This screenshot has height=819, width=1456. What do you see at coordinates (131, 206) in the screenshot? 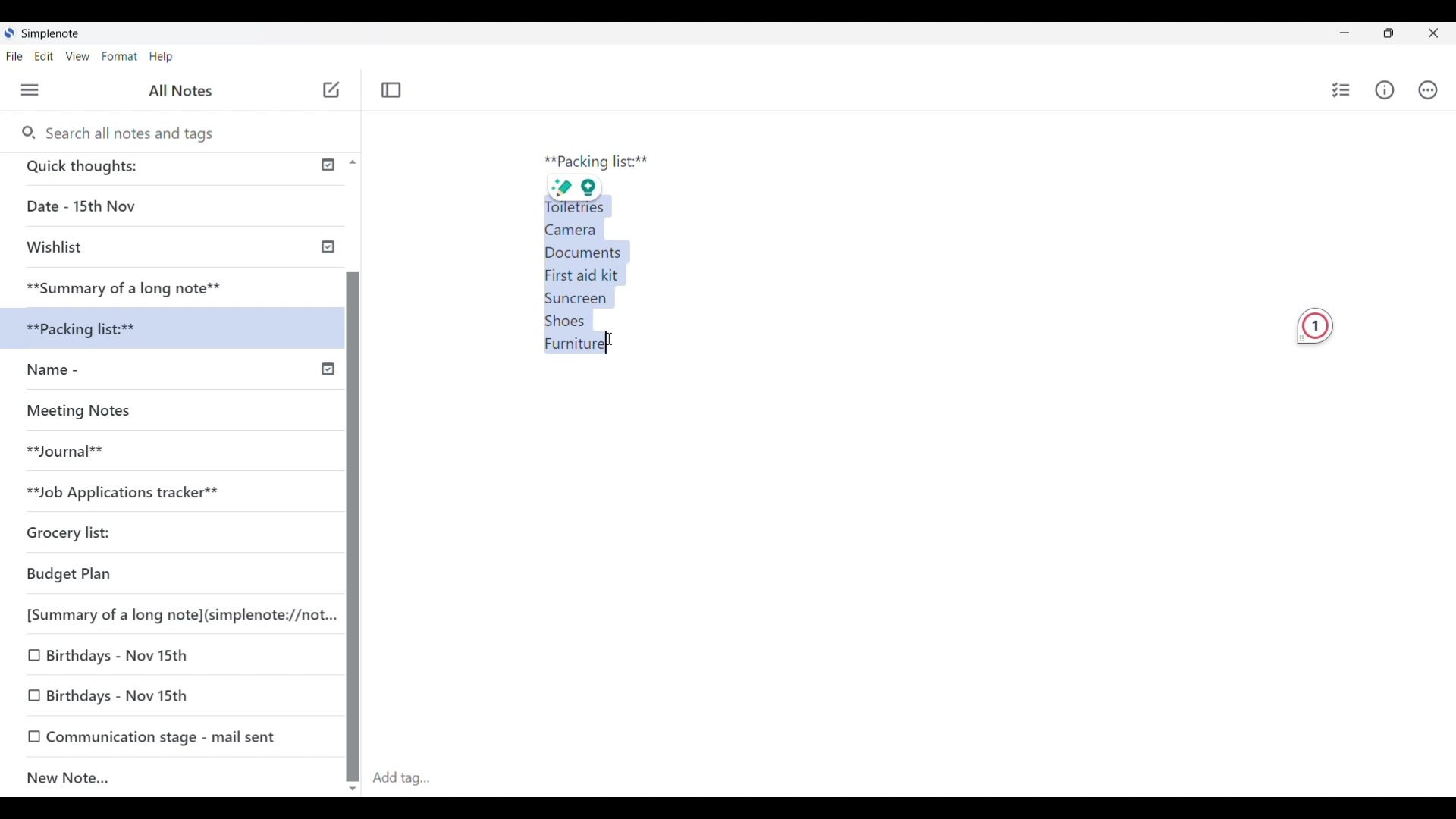
I see `Date - 15th Nov` at bounding box center [131, 206].